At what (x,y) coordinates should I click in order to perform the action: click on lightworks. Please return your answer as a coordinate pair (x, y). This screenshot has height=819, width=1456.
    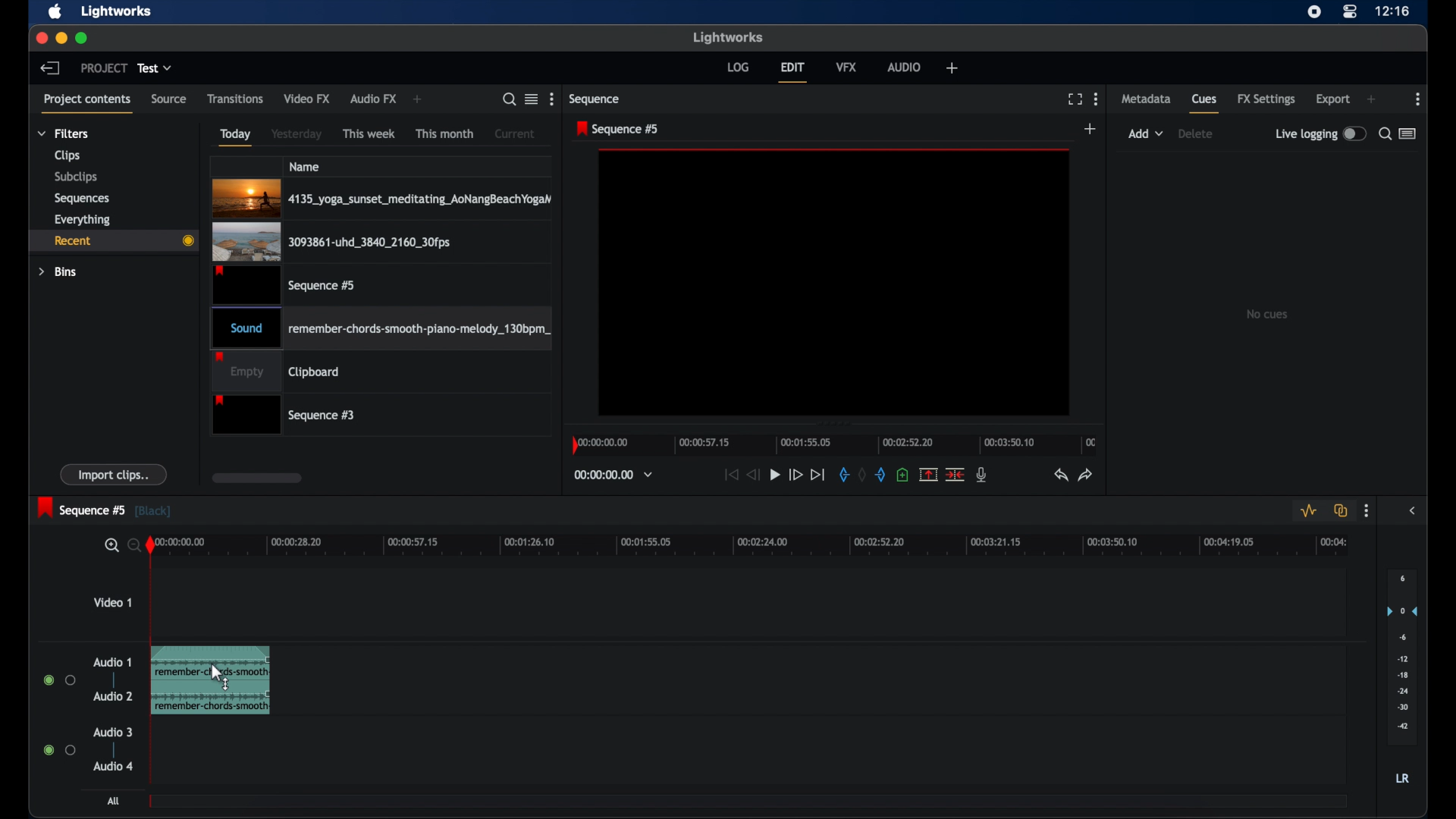
    Looking at the image, I should click on (730, 38).